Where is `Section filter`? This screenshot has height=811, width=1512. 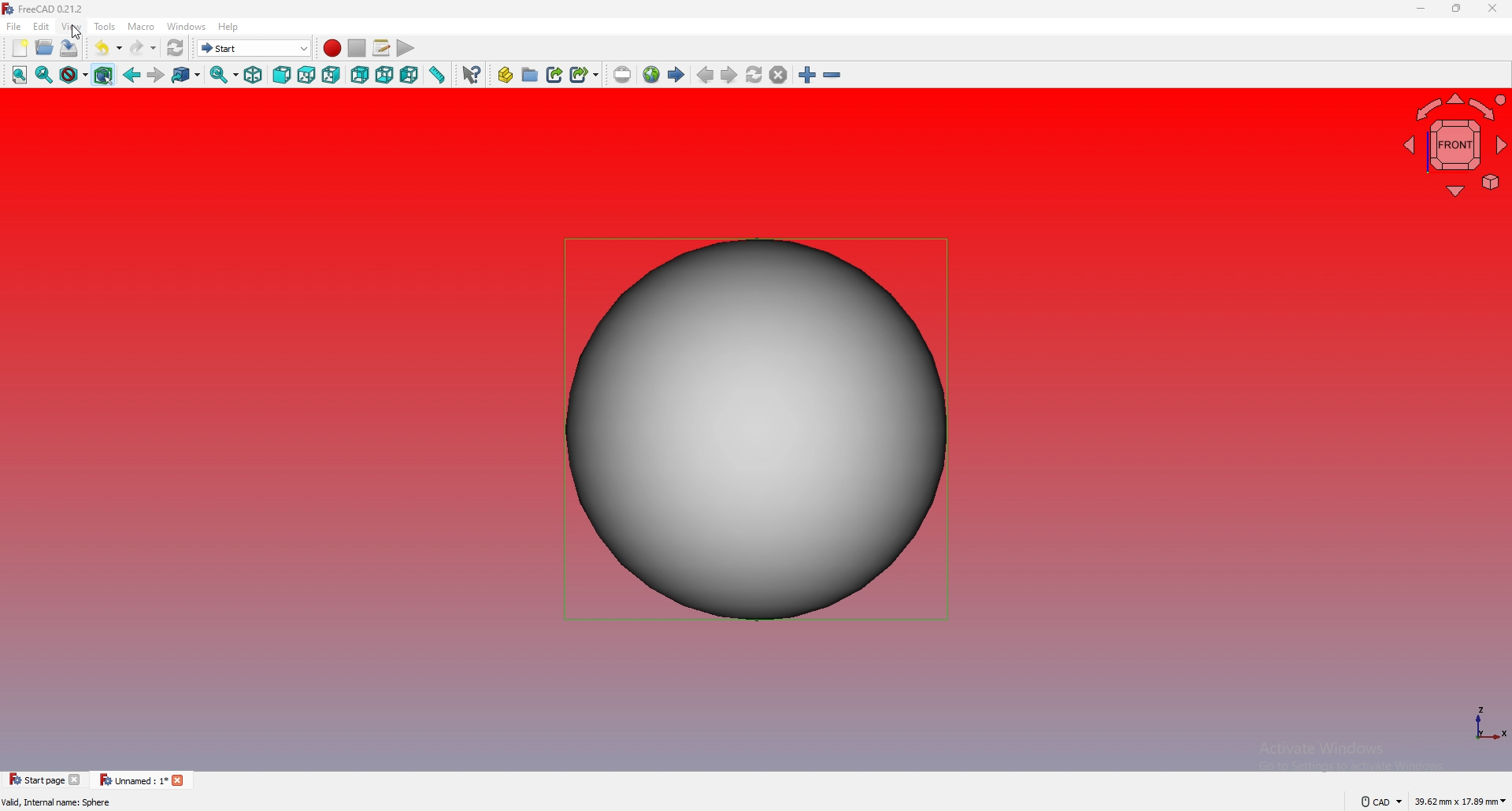 Section filter is located at coordinates (103, 75).